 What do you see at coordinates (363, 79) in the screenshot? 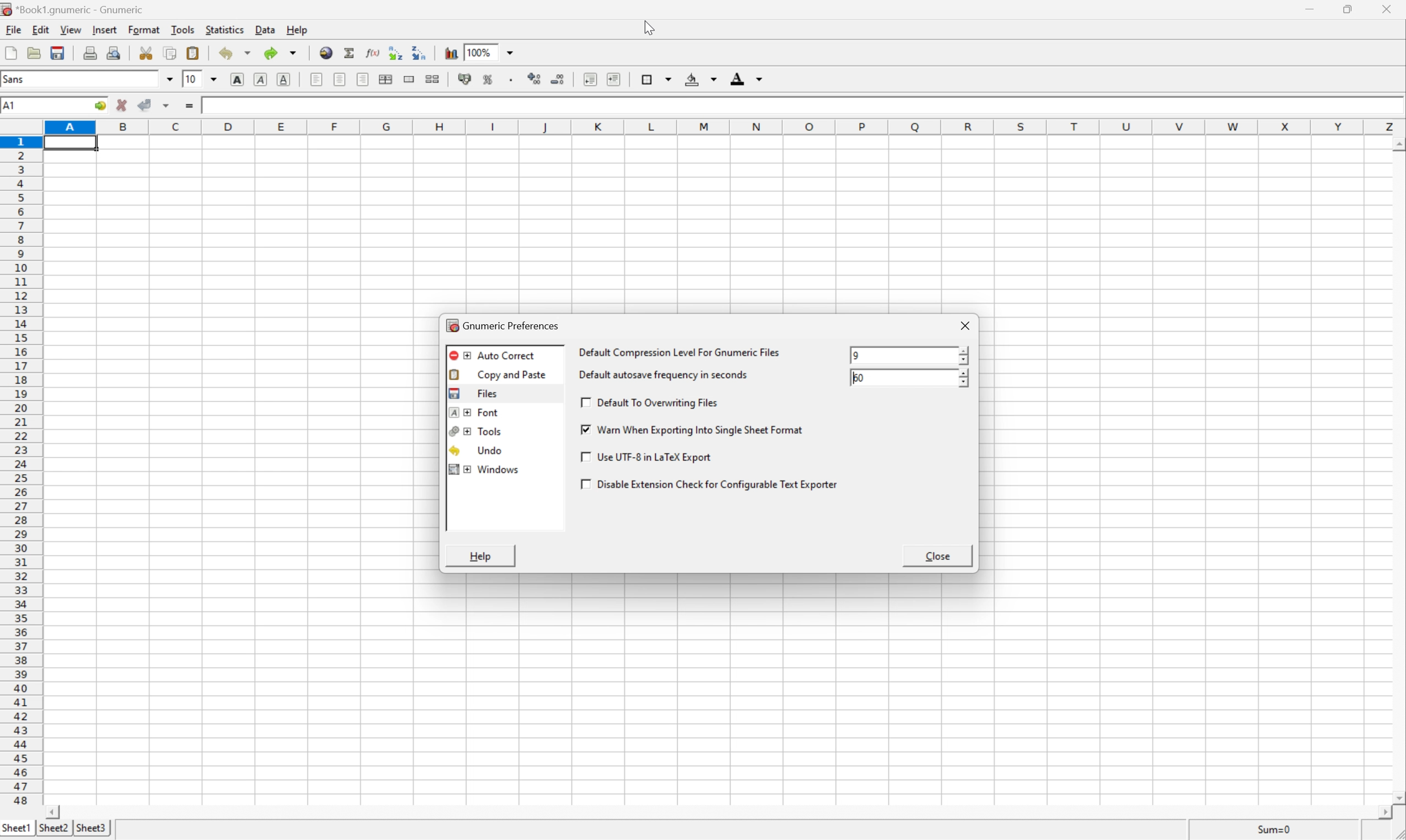
I see `Align right` at bounding box center [363, 79].